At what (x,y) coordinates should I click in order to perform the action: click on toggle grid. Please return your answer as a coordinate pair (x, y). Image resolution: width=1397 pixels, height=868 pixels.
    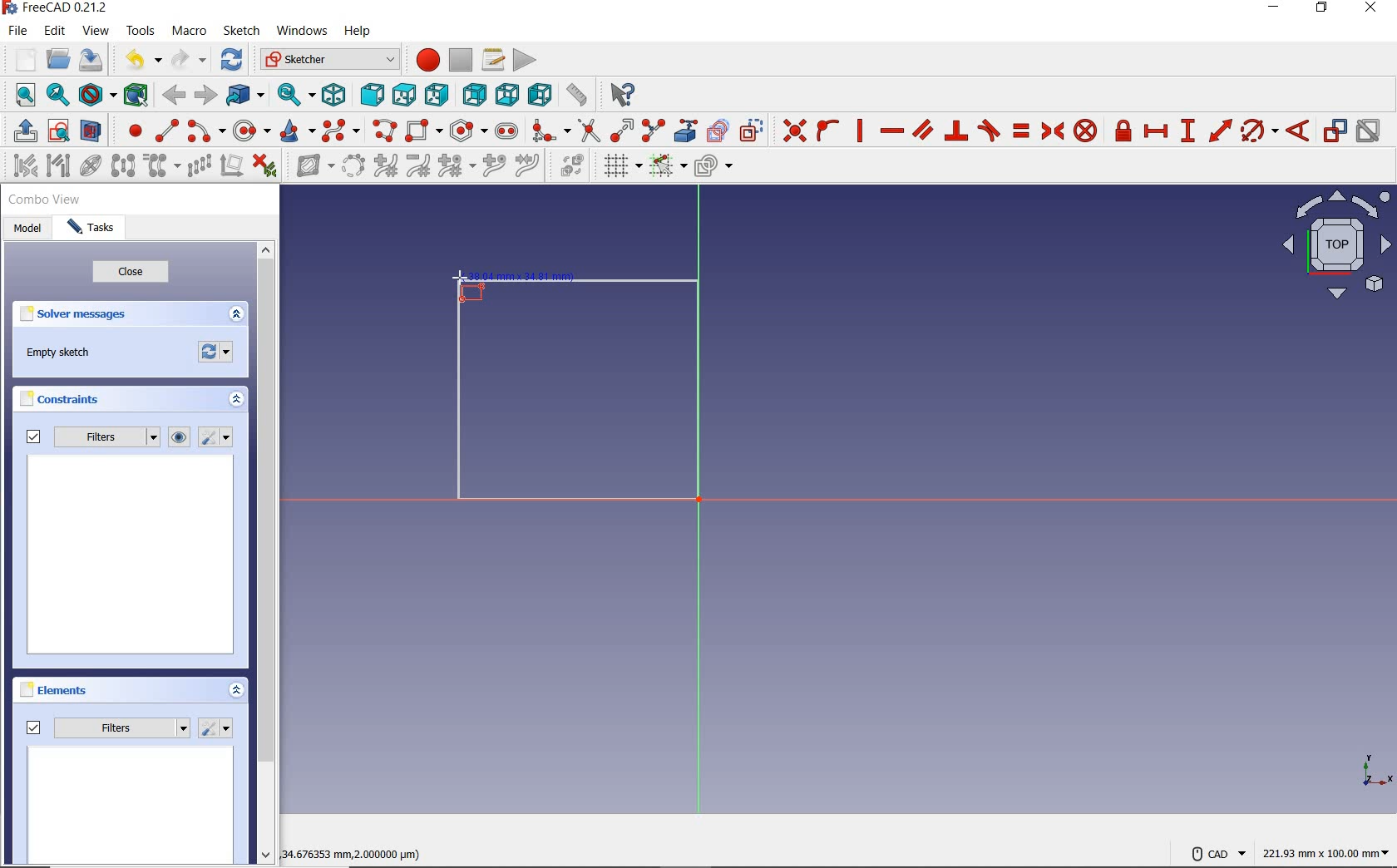
    Looking at the image, I should click on (621, 167).